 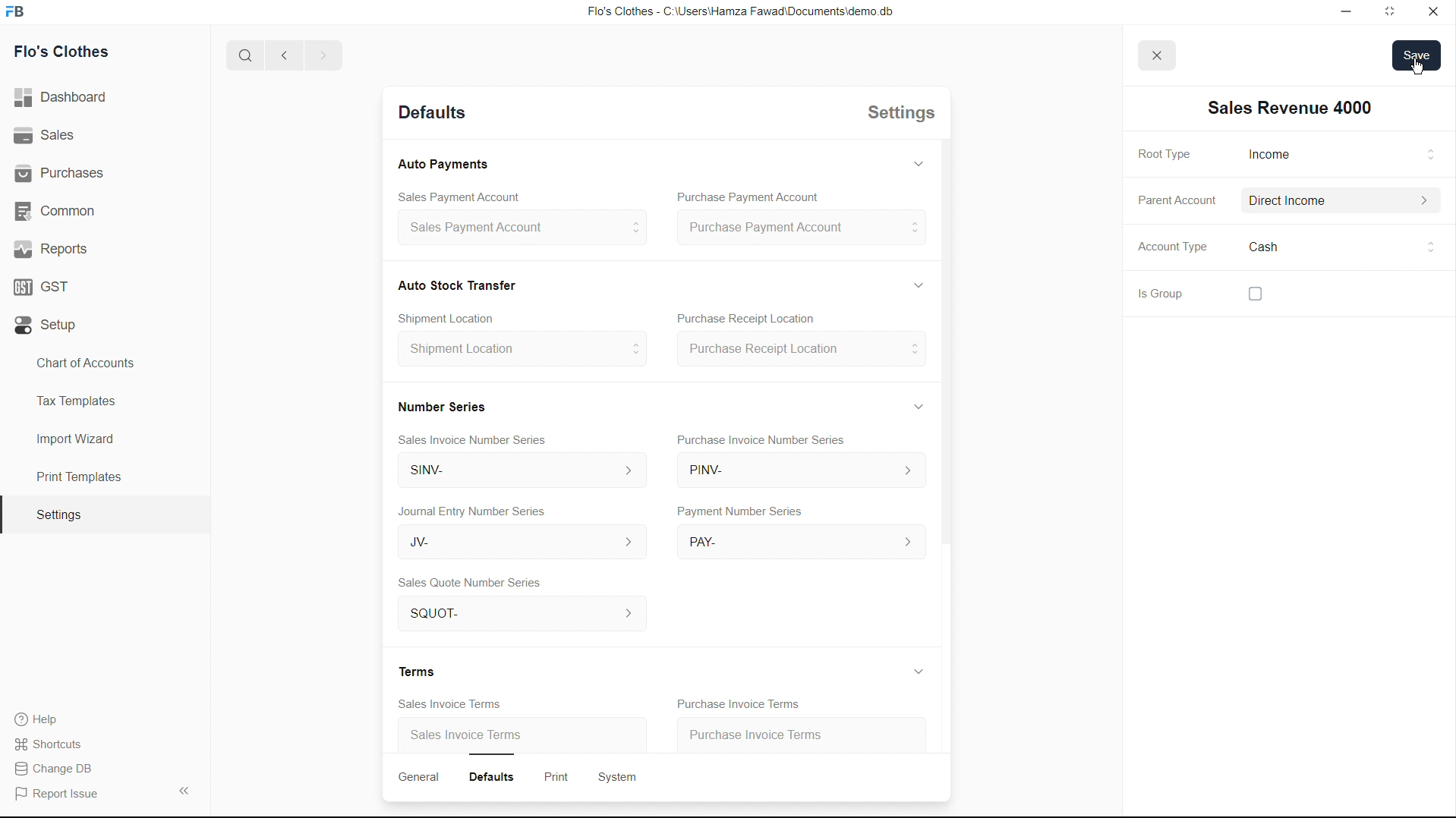 What do you see at coordinates (498, 775) in the screenshot?
I see `Defaults` at bounding box center [498, 775].